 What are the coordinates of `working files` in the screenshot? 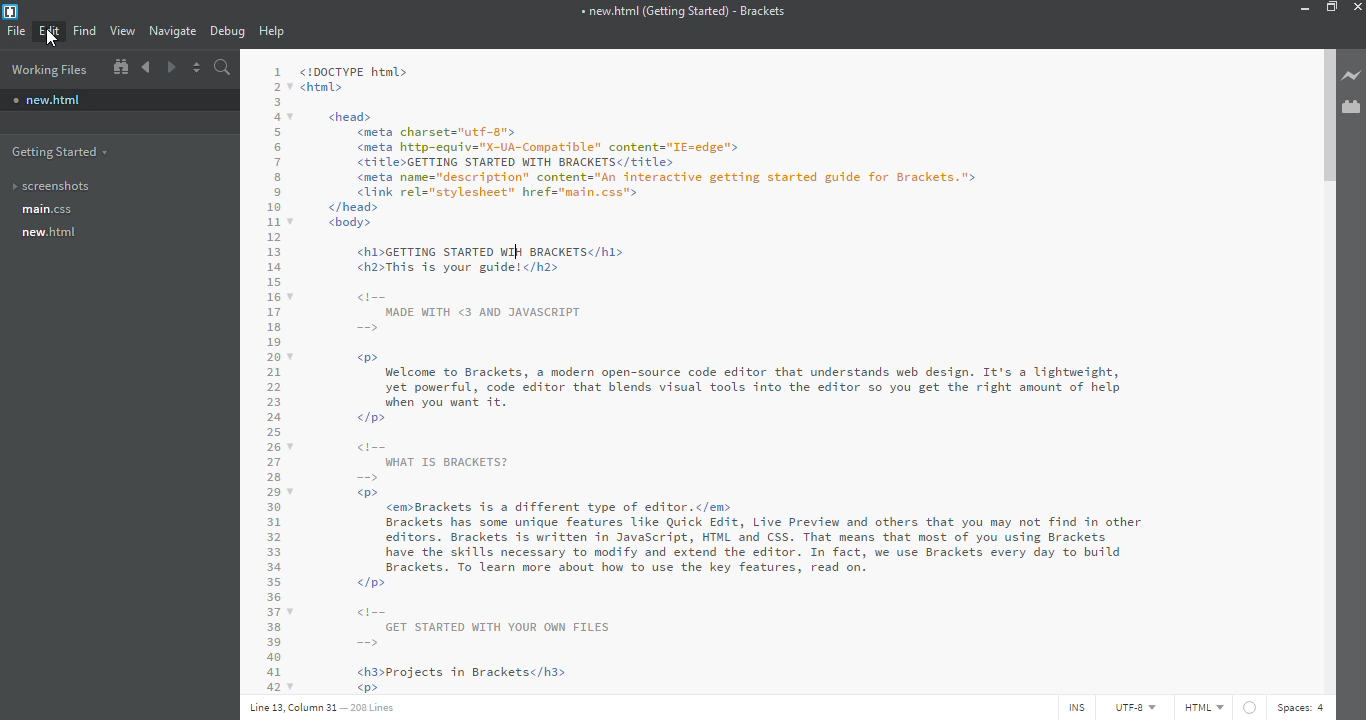 It's located at (55, 70).